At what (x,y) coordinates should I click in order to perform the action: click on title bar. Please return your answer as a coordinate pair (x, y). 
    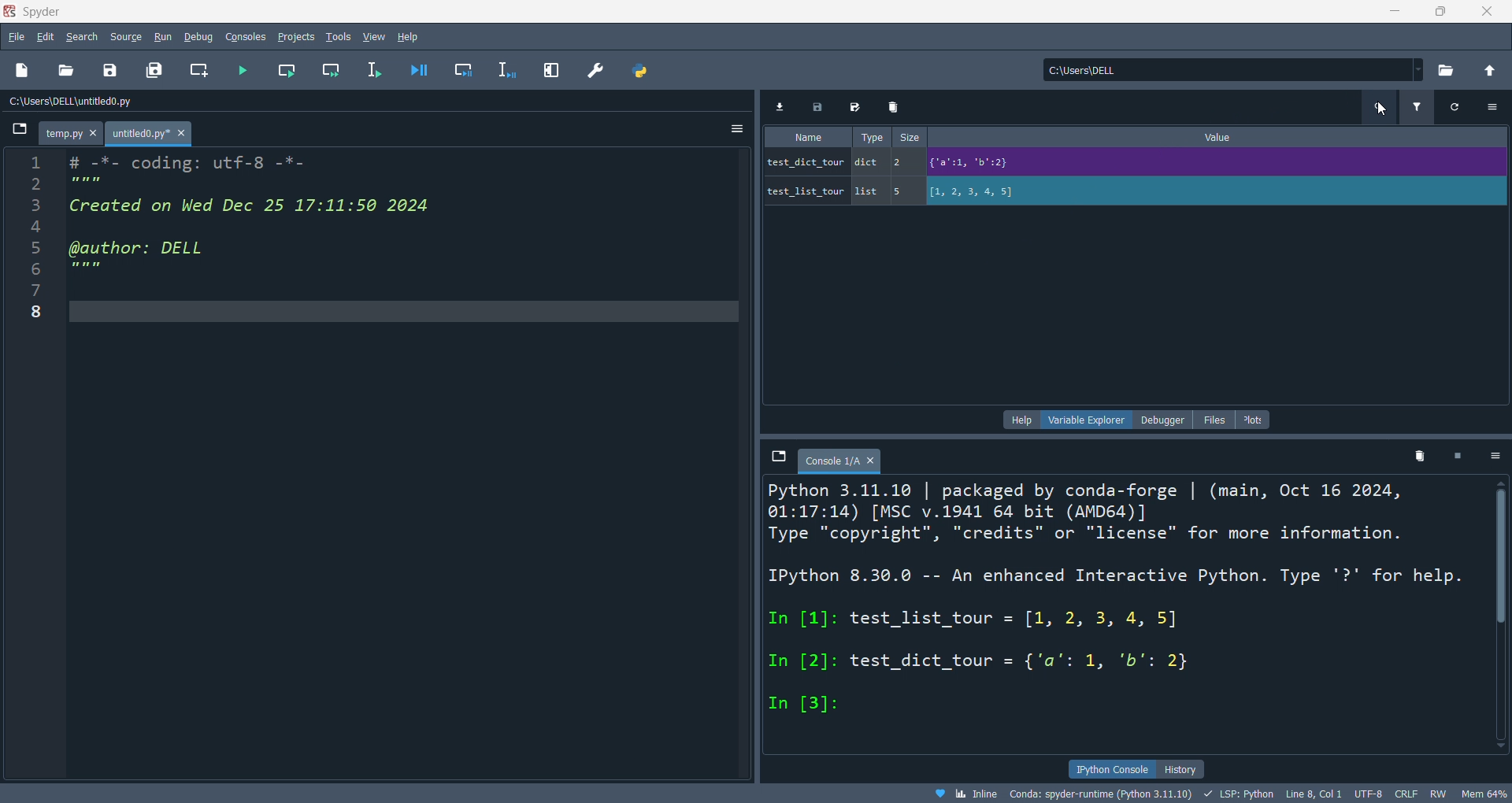
    Looking at the image, I should click on (683, 10).